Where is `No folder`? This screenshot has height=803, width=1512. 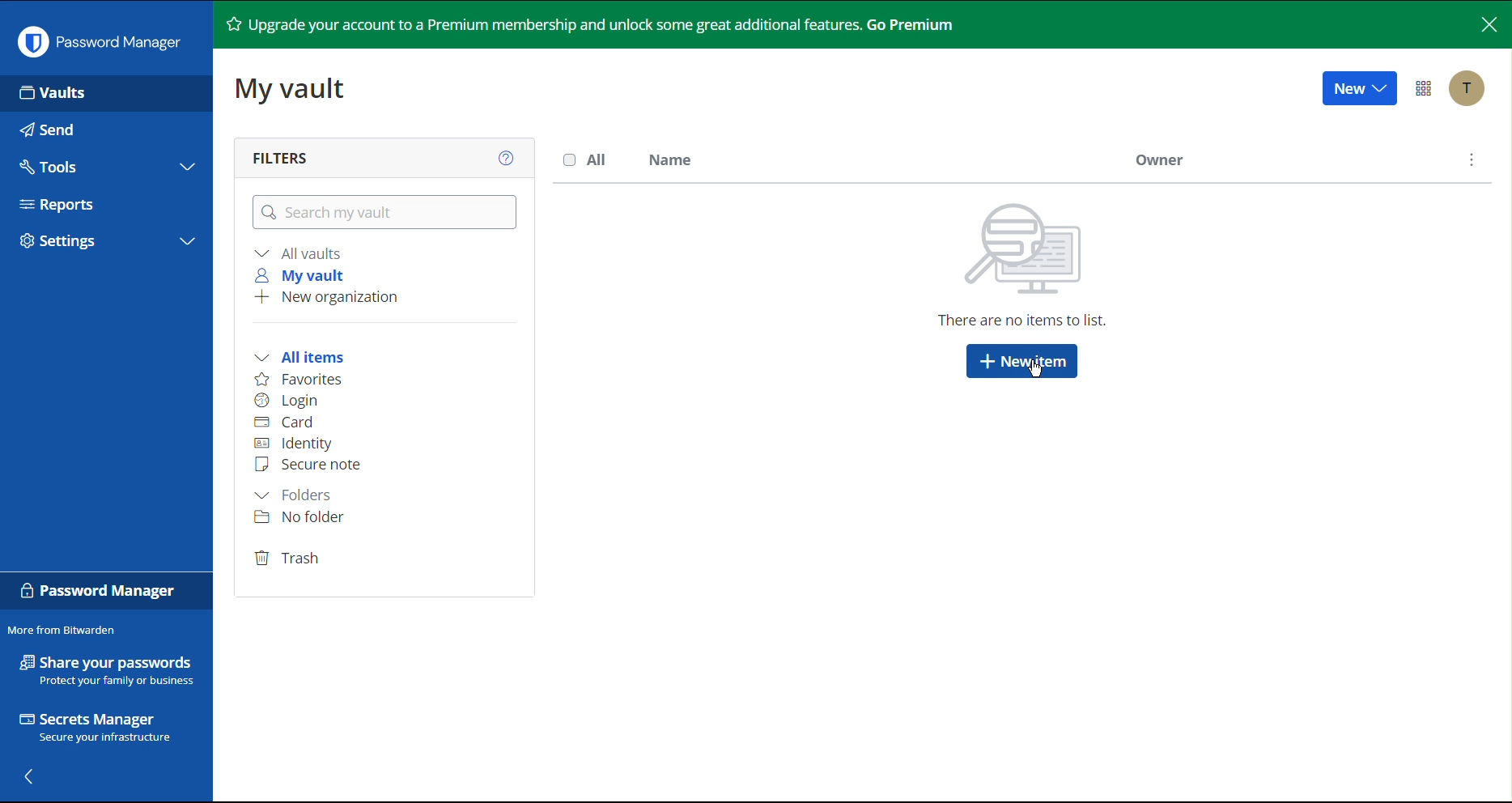 No folder is located at coordinates (302, 520).